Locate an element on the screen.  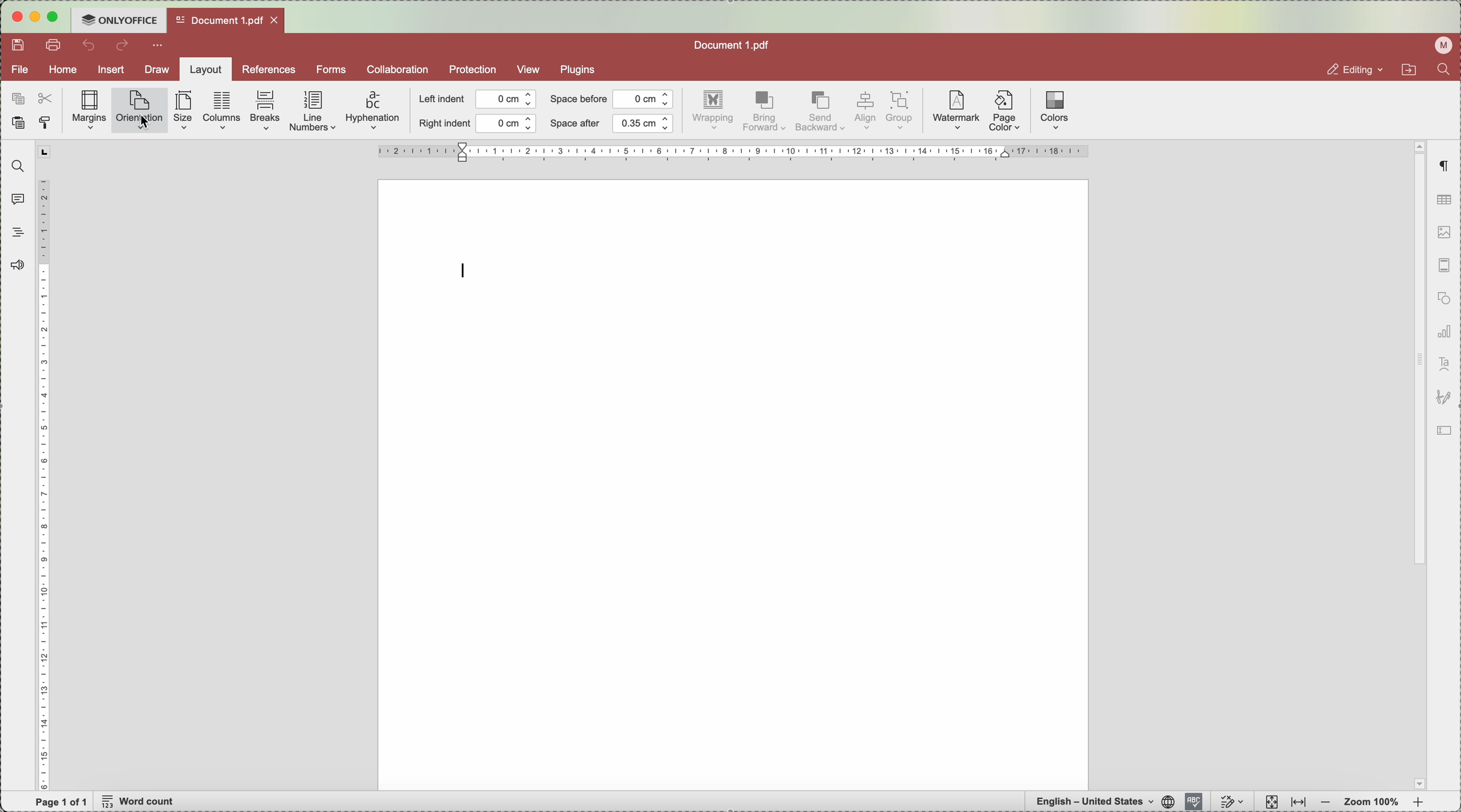
table settings is located at coordinates (1444, 200).